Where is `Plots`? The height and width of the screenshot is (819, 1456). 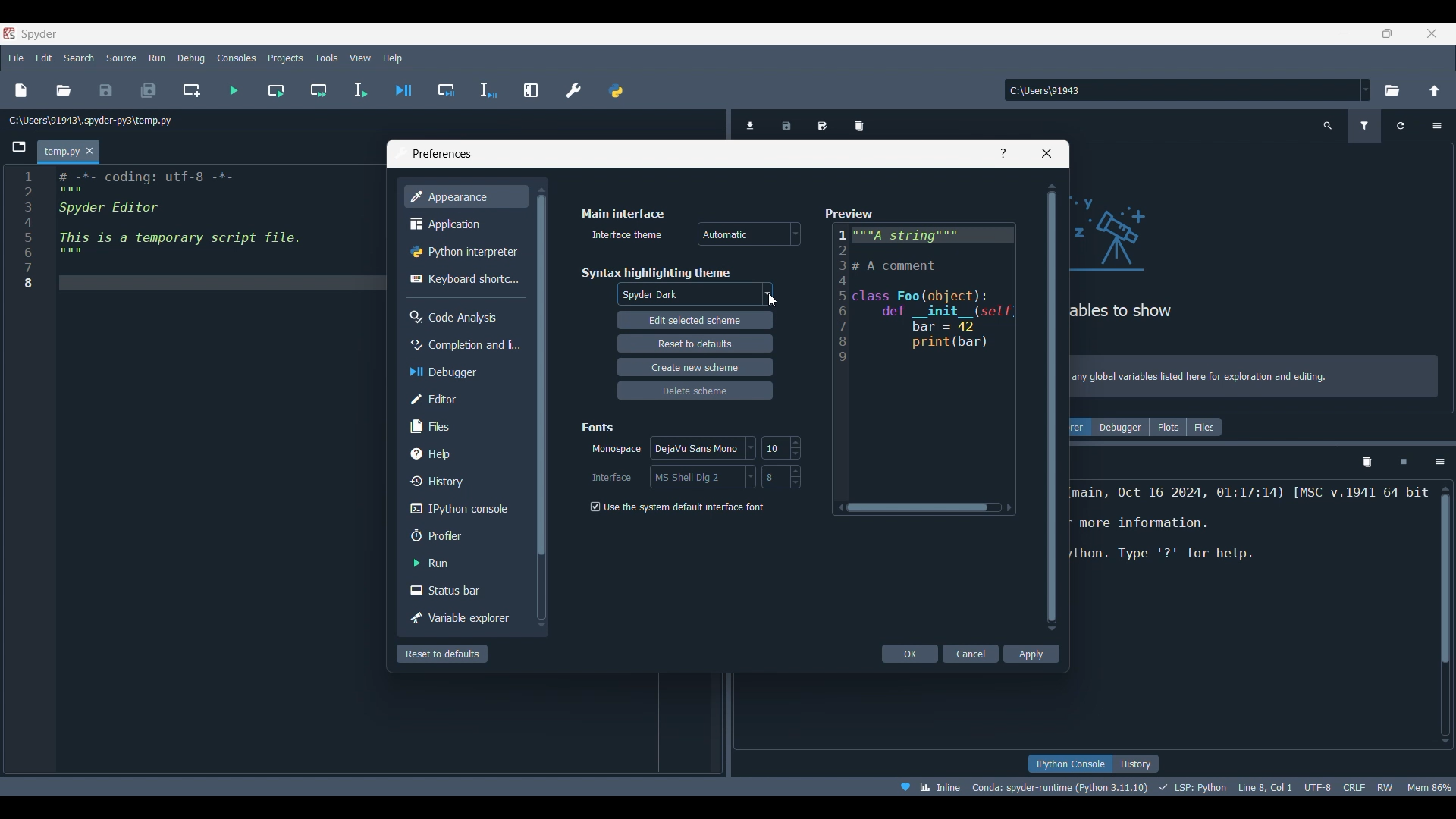 Plots is located at coordinates (1168, 427).